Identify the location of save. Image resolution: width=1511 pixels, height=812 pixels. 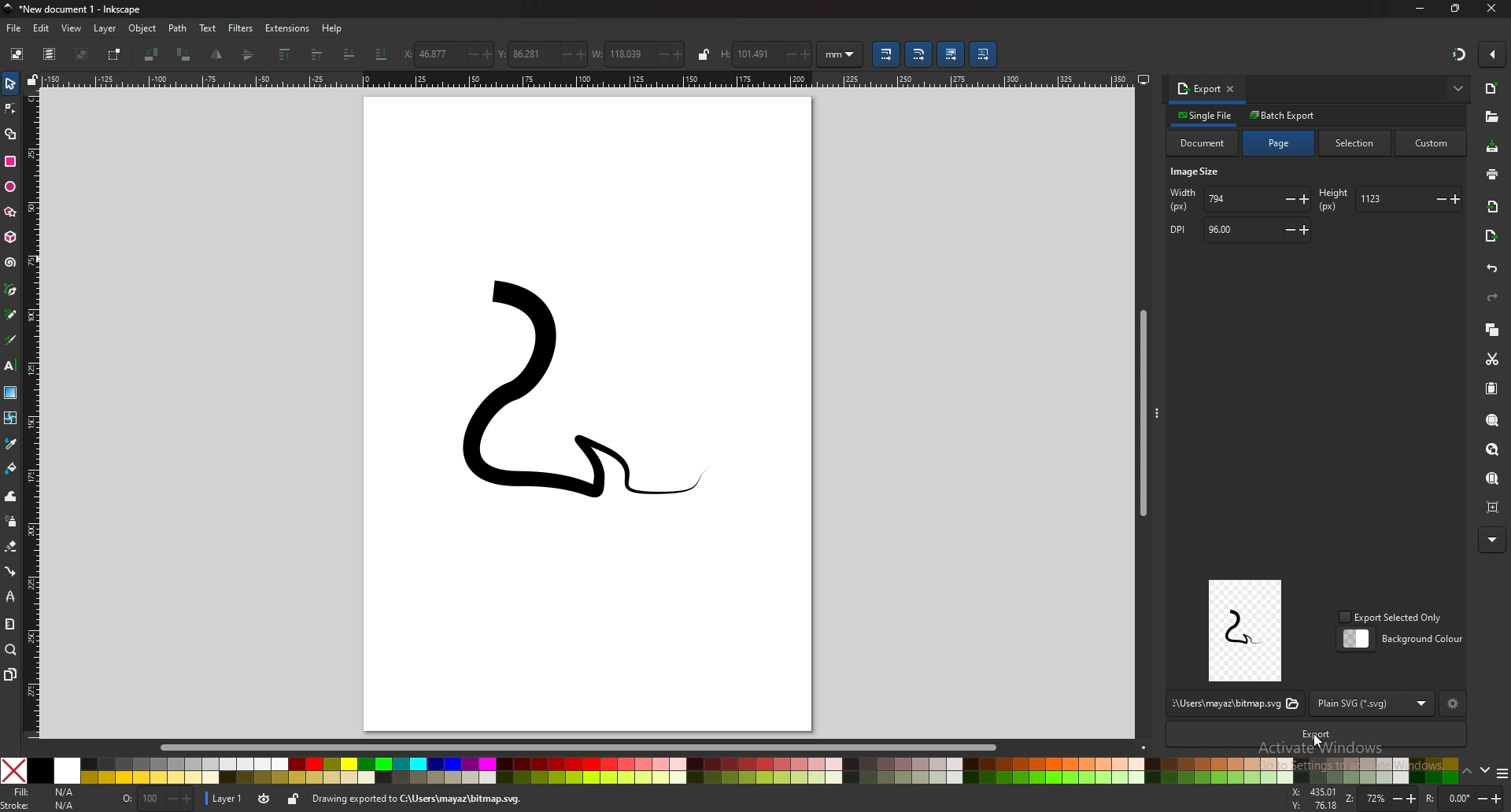
(1493, 147).